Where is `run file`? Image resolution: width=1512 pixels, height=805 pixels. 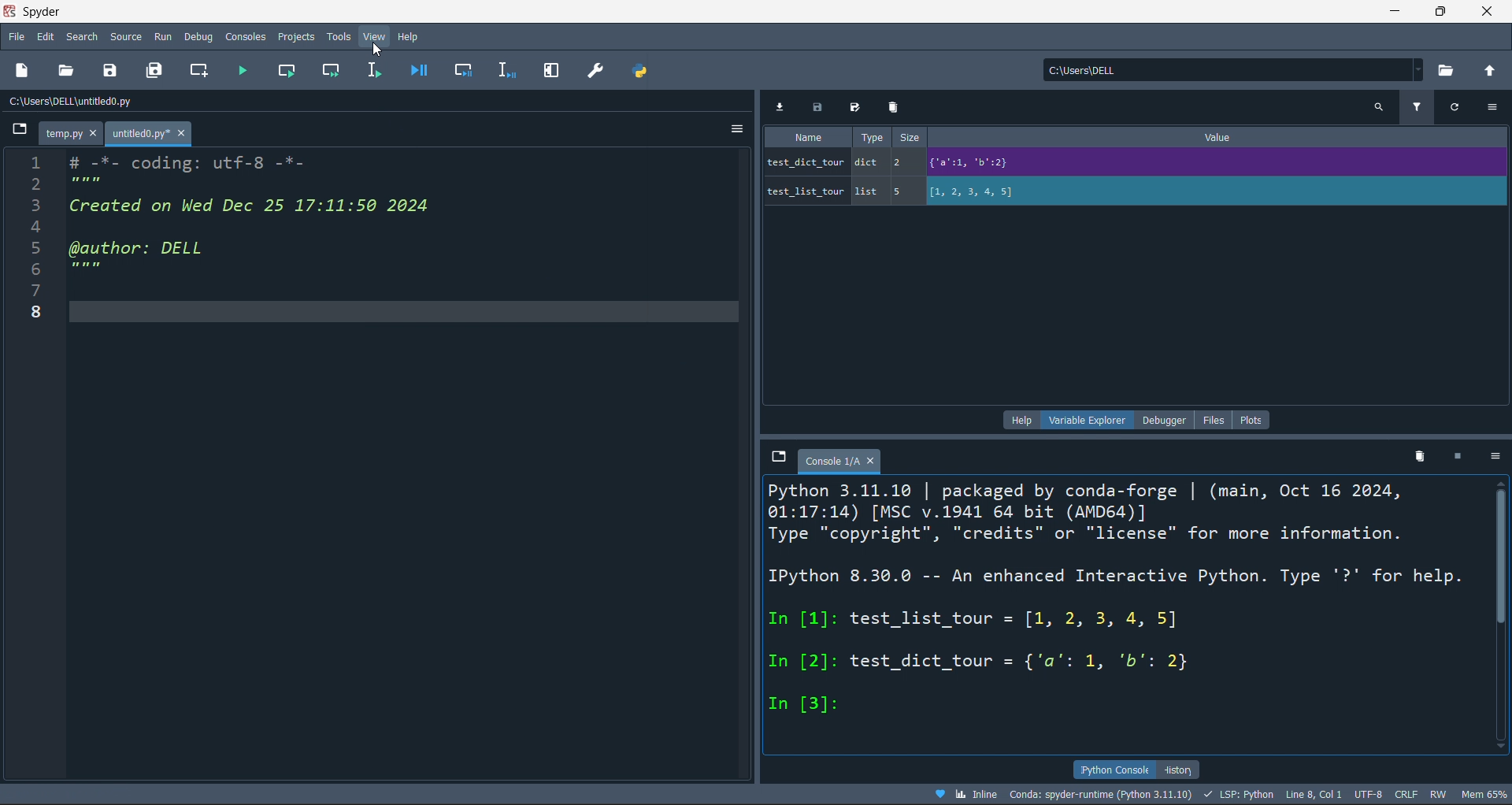 run file is located at coordinates (244, 69).